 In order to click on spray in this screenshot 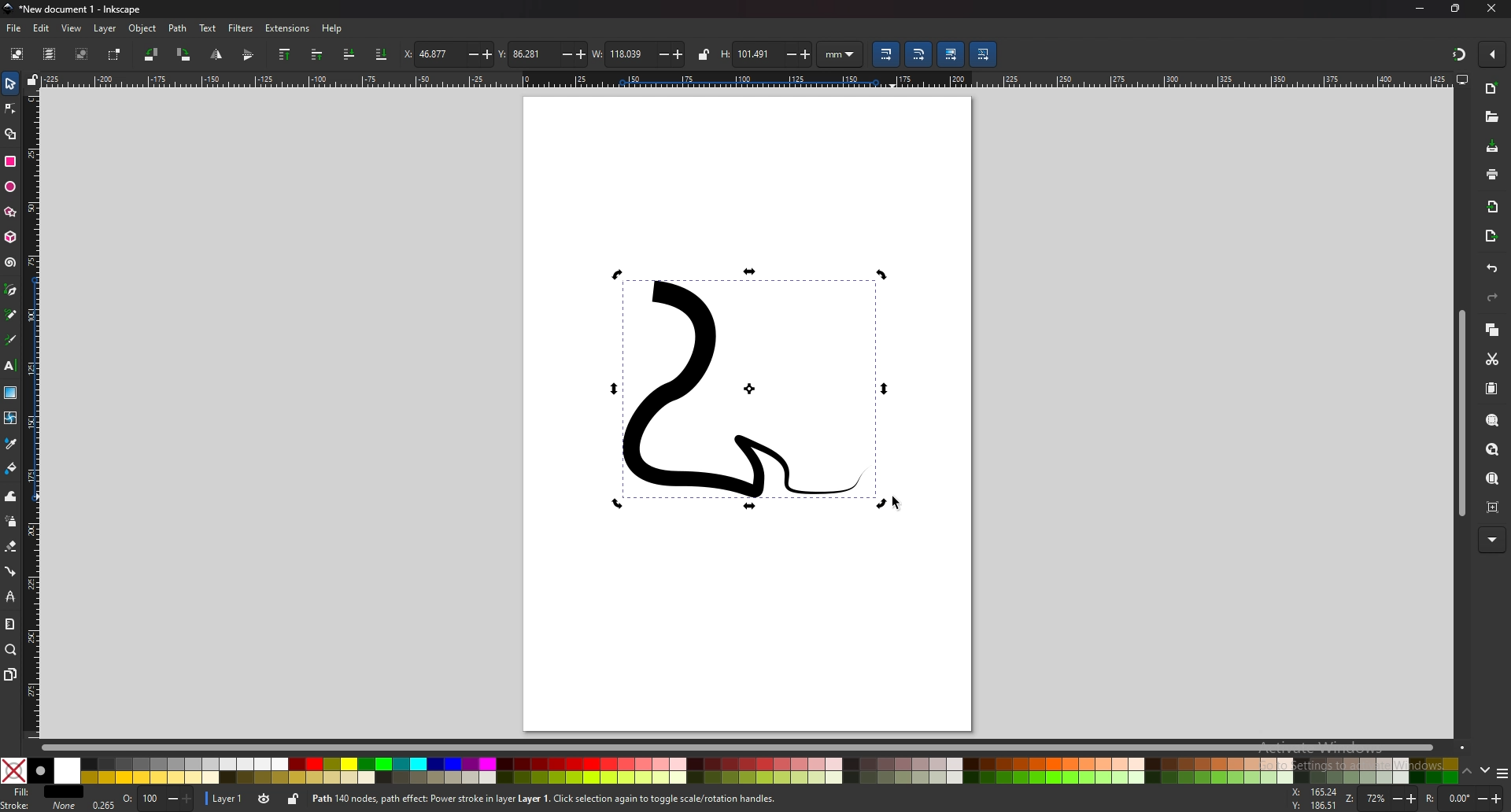, I will do `click(12, 521)`.